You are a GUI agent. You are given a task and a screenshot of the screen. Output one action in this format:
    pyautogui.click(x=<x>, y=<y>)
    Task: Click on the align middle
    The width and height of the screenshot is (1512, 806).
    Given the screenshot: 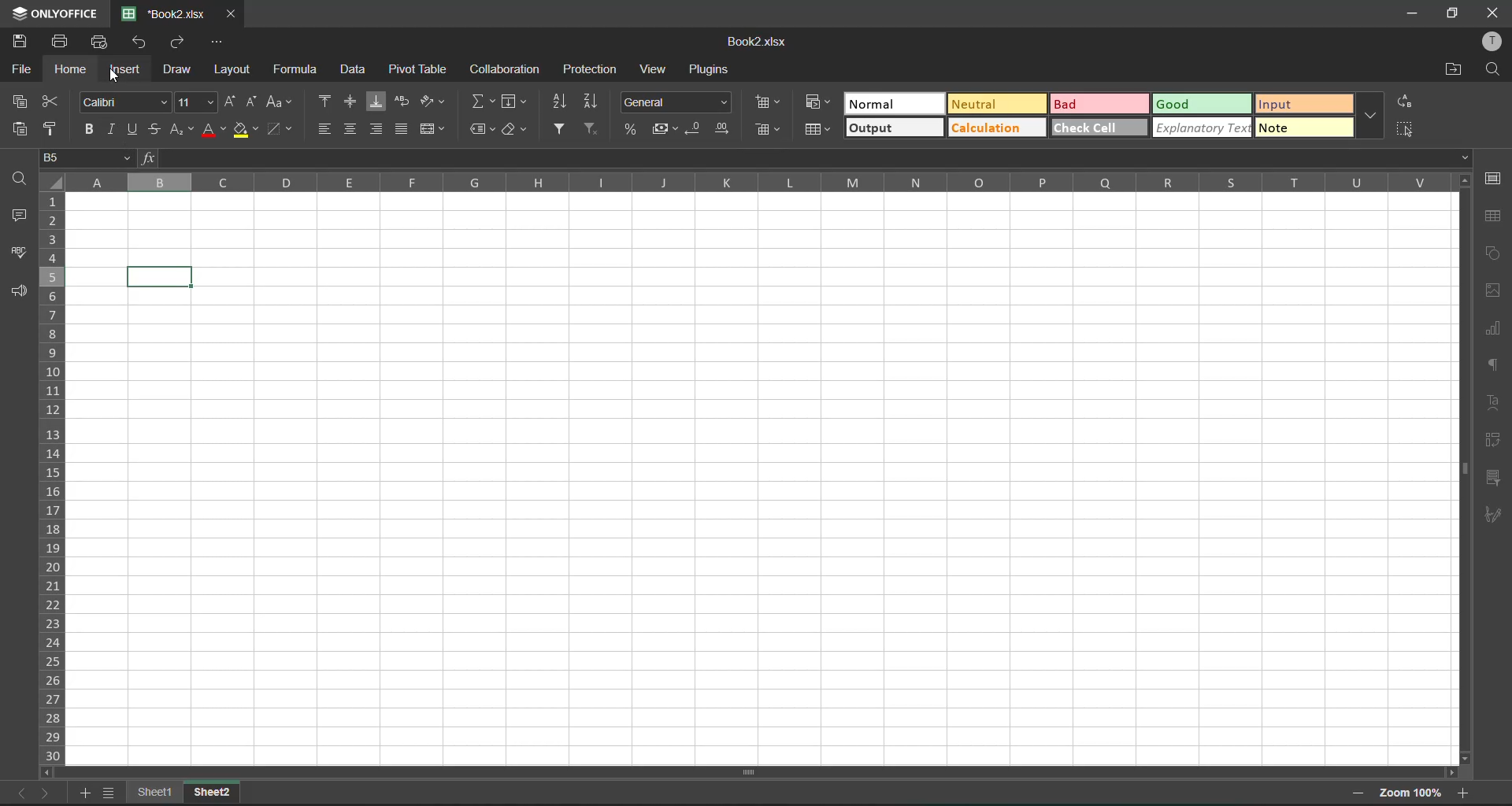 What is the action you would take?
    pyautogui.click(x=350, y=129)
    